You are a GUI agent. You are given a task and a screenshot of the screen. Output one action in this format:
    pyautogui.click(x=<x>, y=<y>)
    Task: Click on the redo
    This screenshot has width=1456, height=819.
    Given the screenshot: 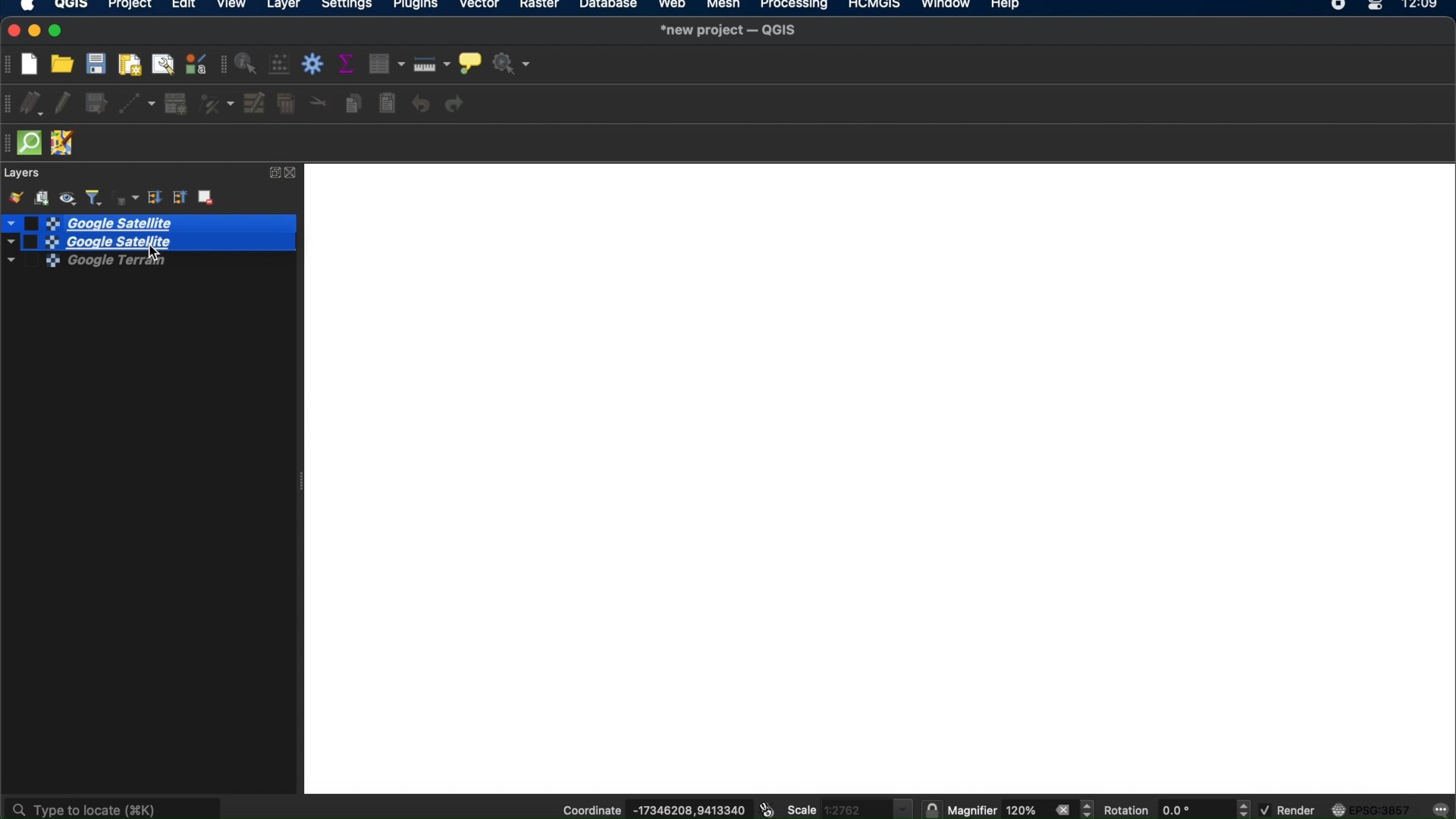 What is the action you would take?
    pyautogui.click(x=458, y=105)
    